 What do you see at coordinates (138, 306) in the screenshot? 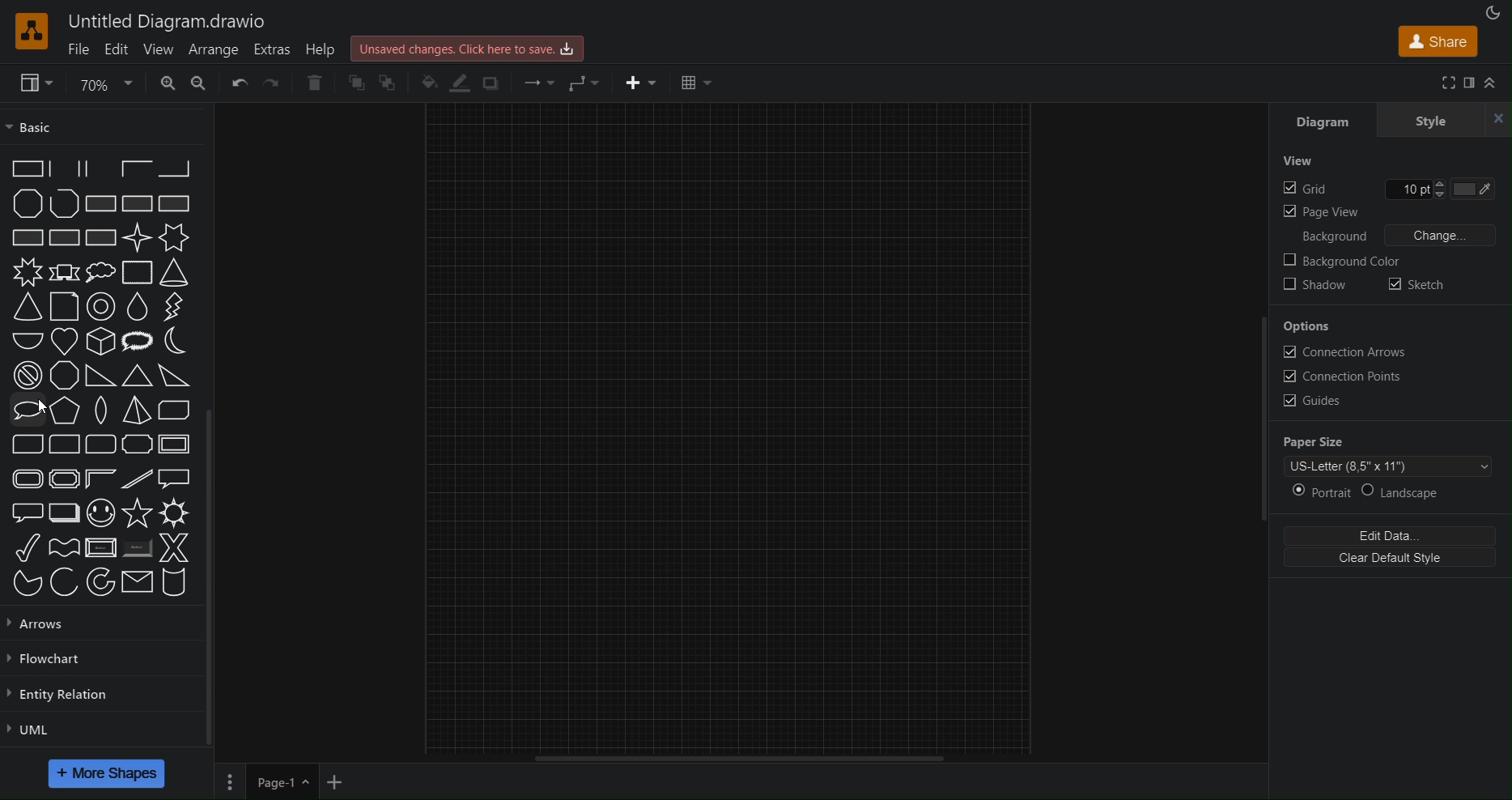
I see `Drop` at bounding box center [138, 306].